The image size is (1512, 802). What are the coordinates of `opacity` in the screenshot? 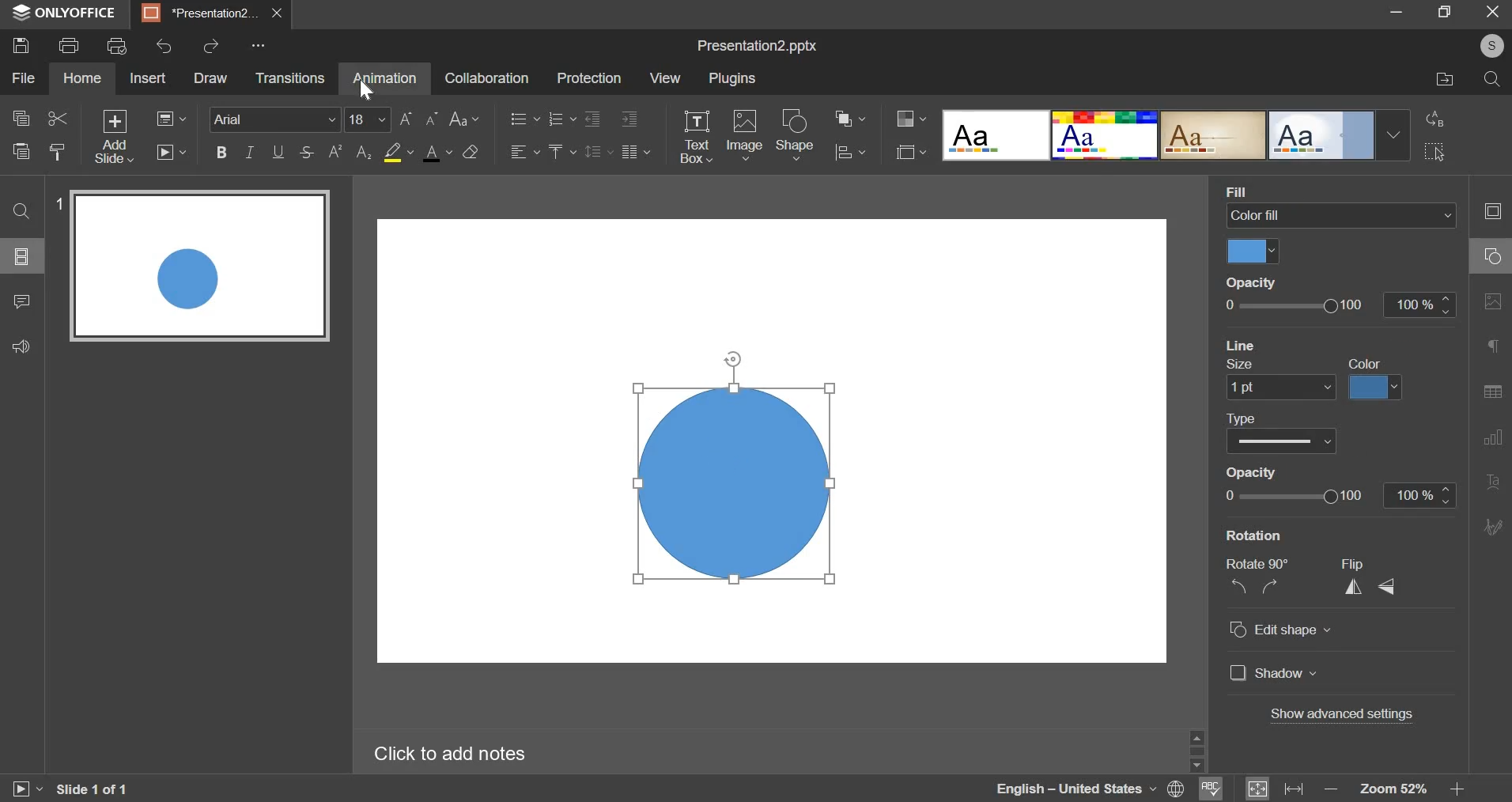 It's located at (1249, 367).